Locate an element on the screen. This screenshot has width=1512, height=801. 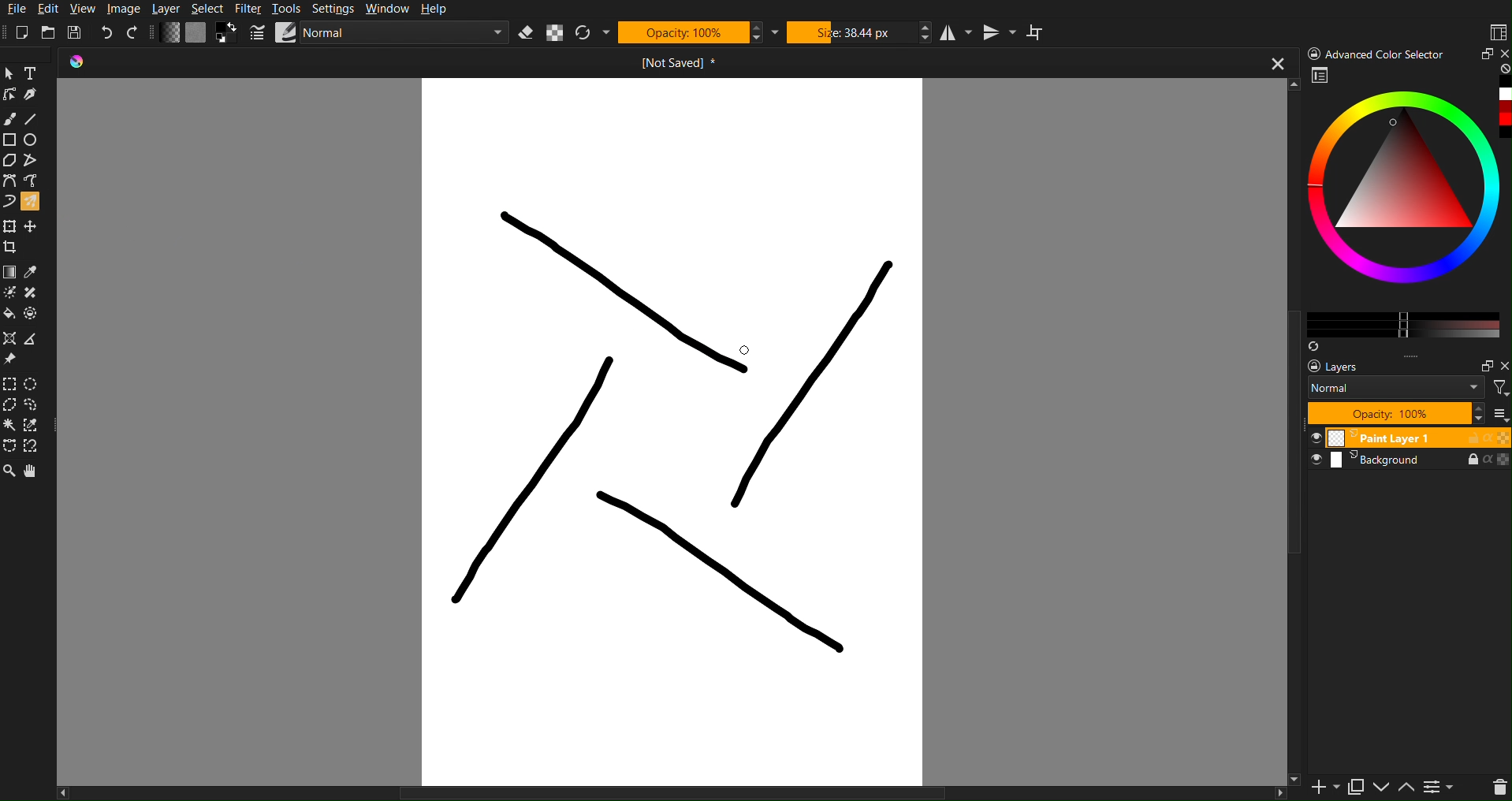
Magnetic Selection Tool is located at coordinates (37, 447).